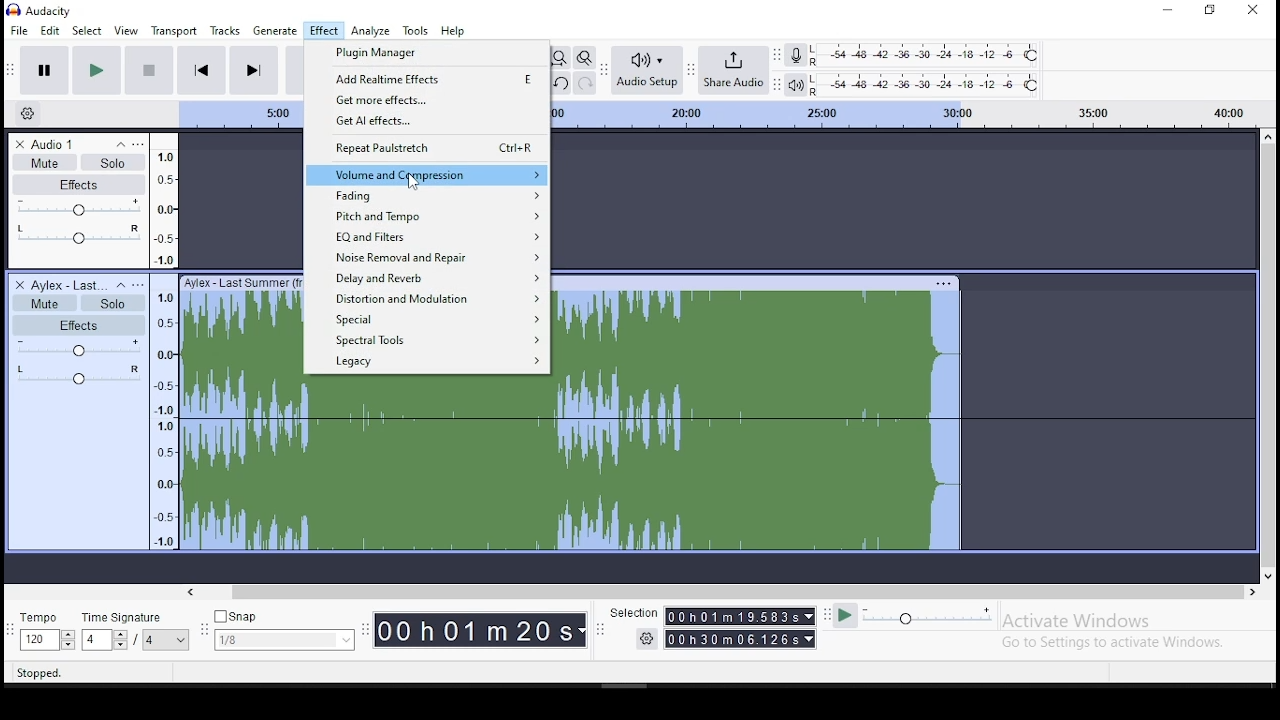  What do you see at coordinates (795, 85) in the screenshot?
I see `playback meter` at bounding box center [795, 85].